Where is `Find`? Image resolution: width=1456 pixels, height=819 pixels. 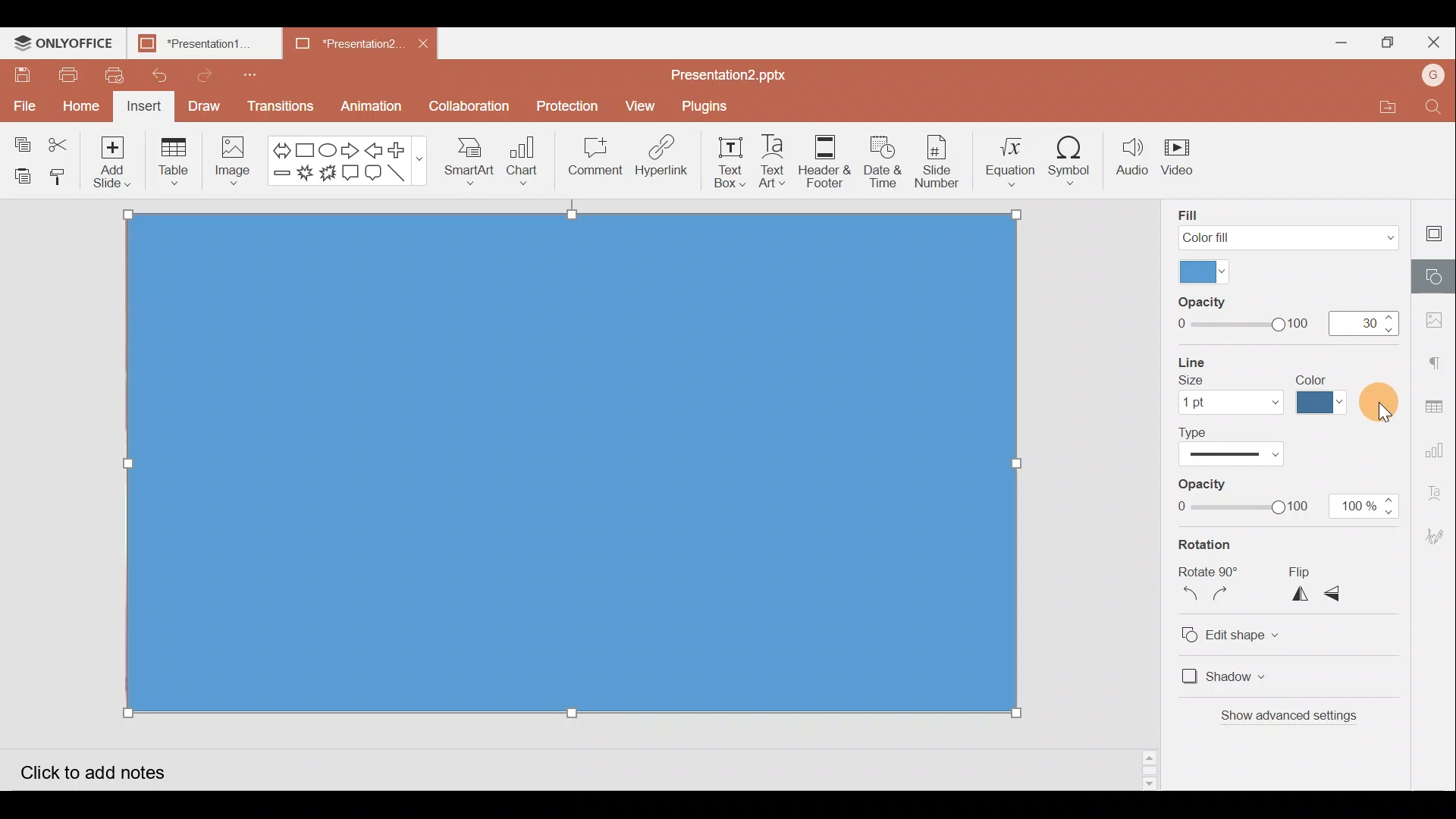
Find is located at coordinates (1438, 108).